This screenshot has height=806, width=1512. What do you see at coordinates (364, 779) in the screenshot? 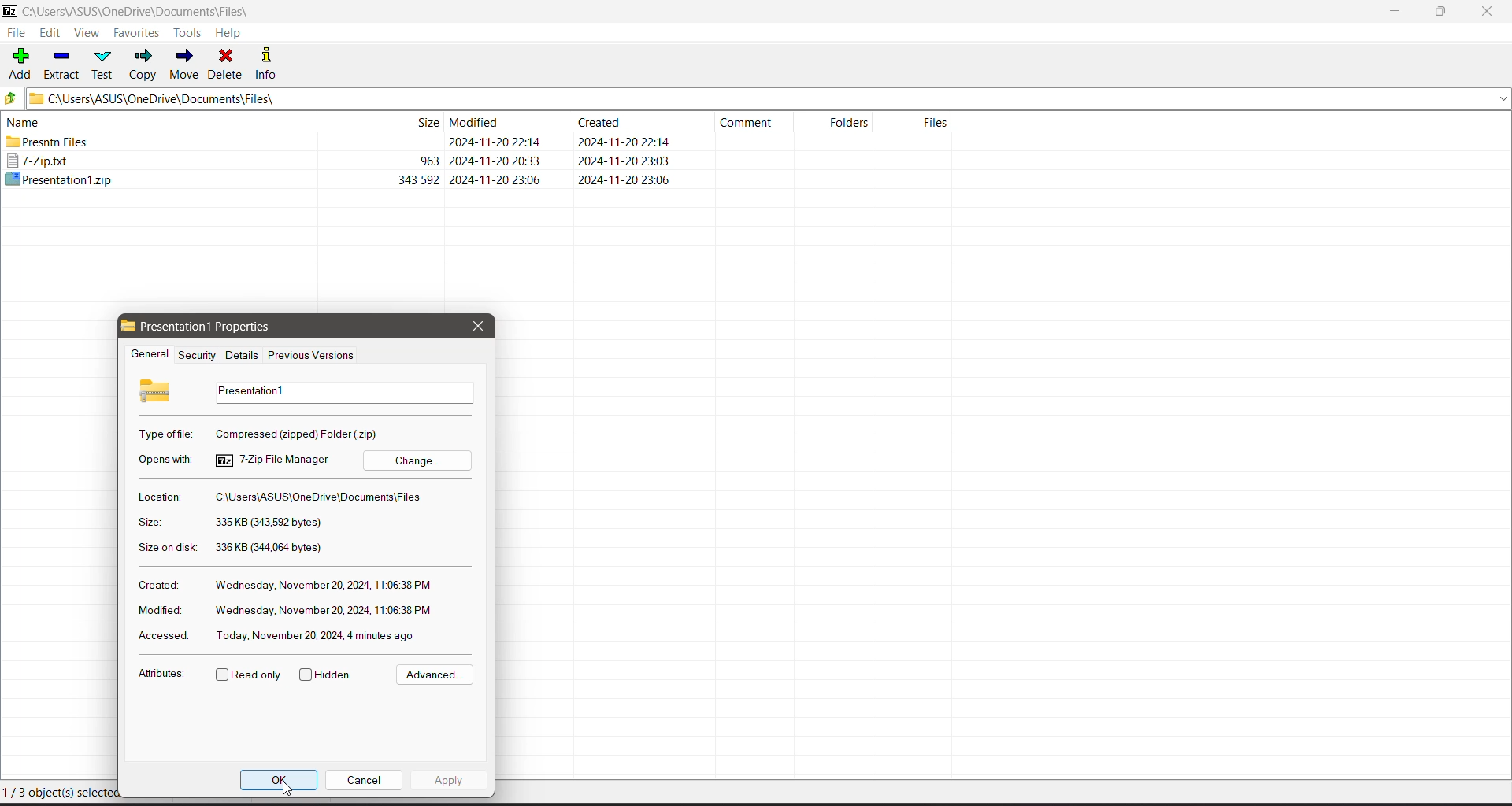
I see `Cancel` at bounding box center [364, 779].